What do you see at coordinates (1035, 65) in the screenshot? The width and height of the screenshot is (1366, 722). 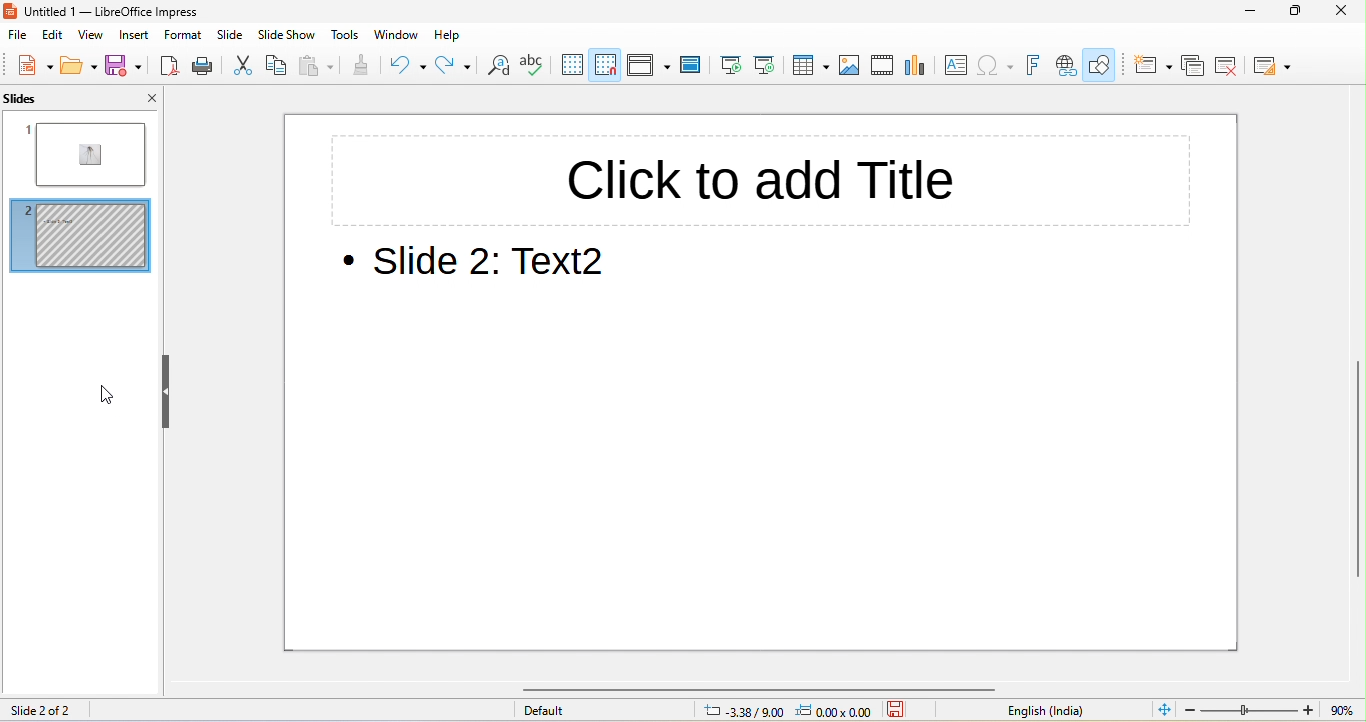 I see `fontwork text` at bounding box center [1035, 65].